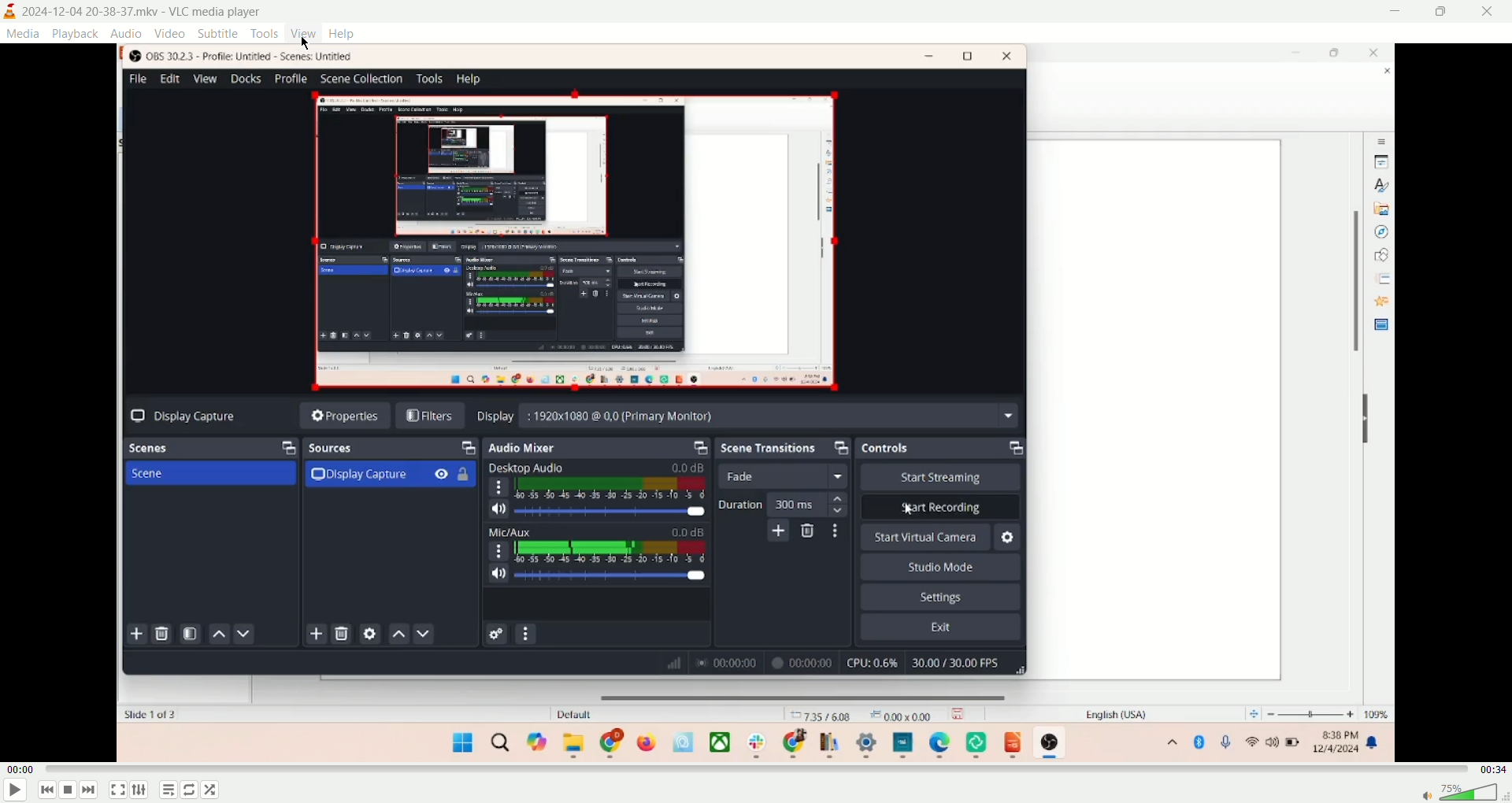 The height and width of the screenshot is (803, 1512). What do you see at coordinates (23, 35) in the screenshot?
I see `media` at bounding box center [23, 35].